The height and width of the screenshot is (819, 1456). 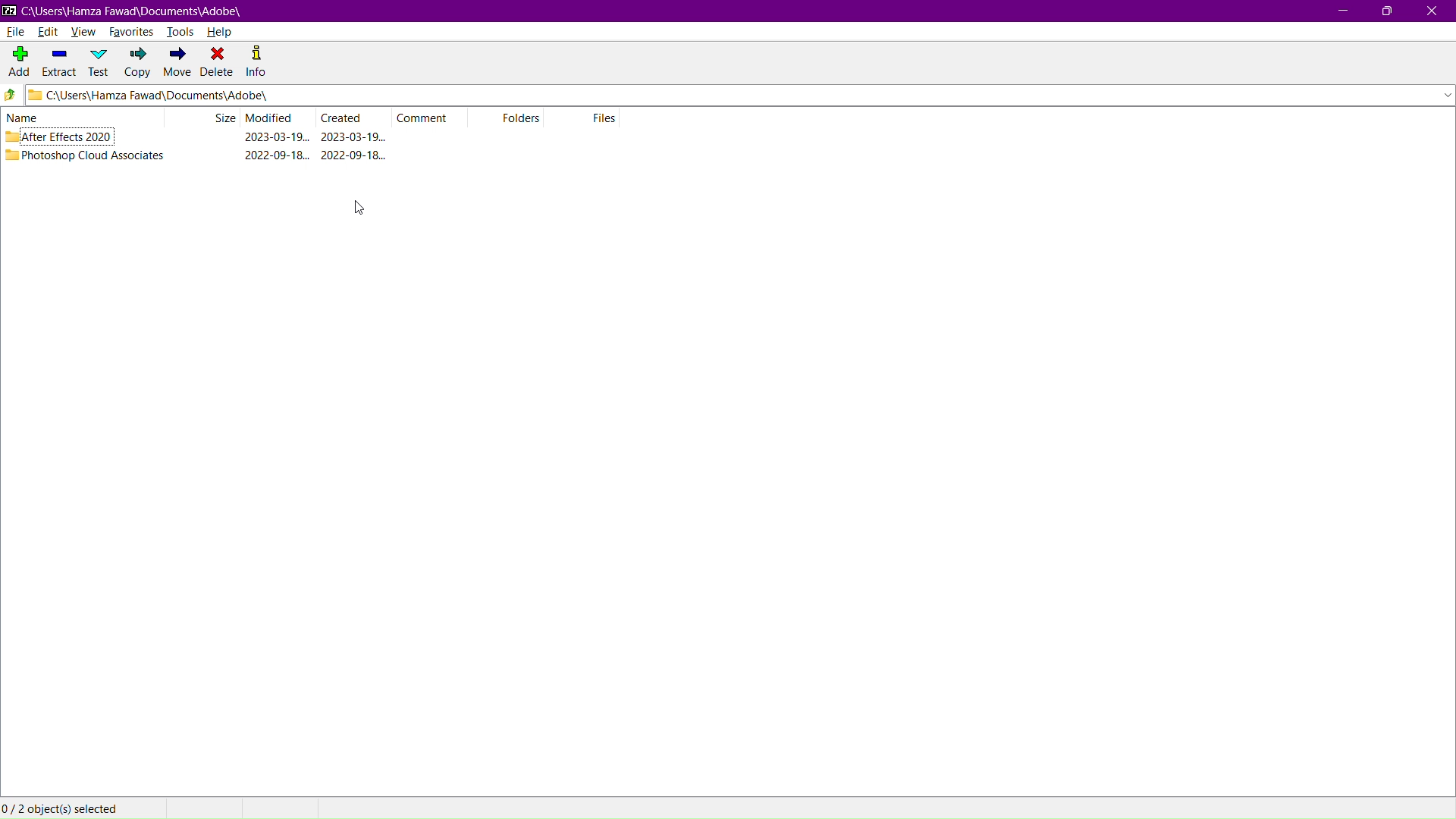 I want to click on Created, so click(x=354, y=117).